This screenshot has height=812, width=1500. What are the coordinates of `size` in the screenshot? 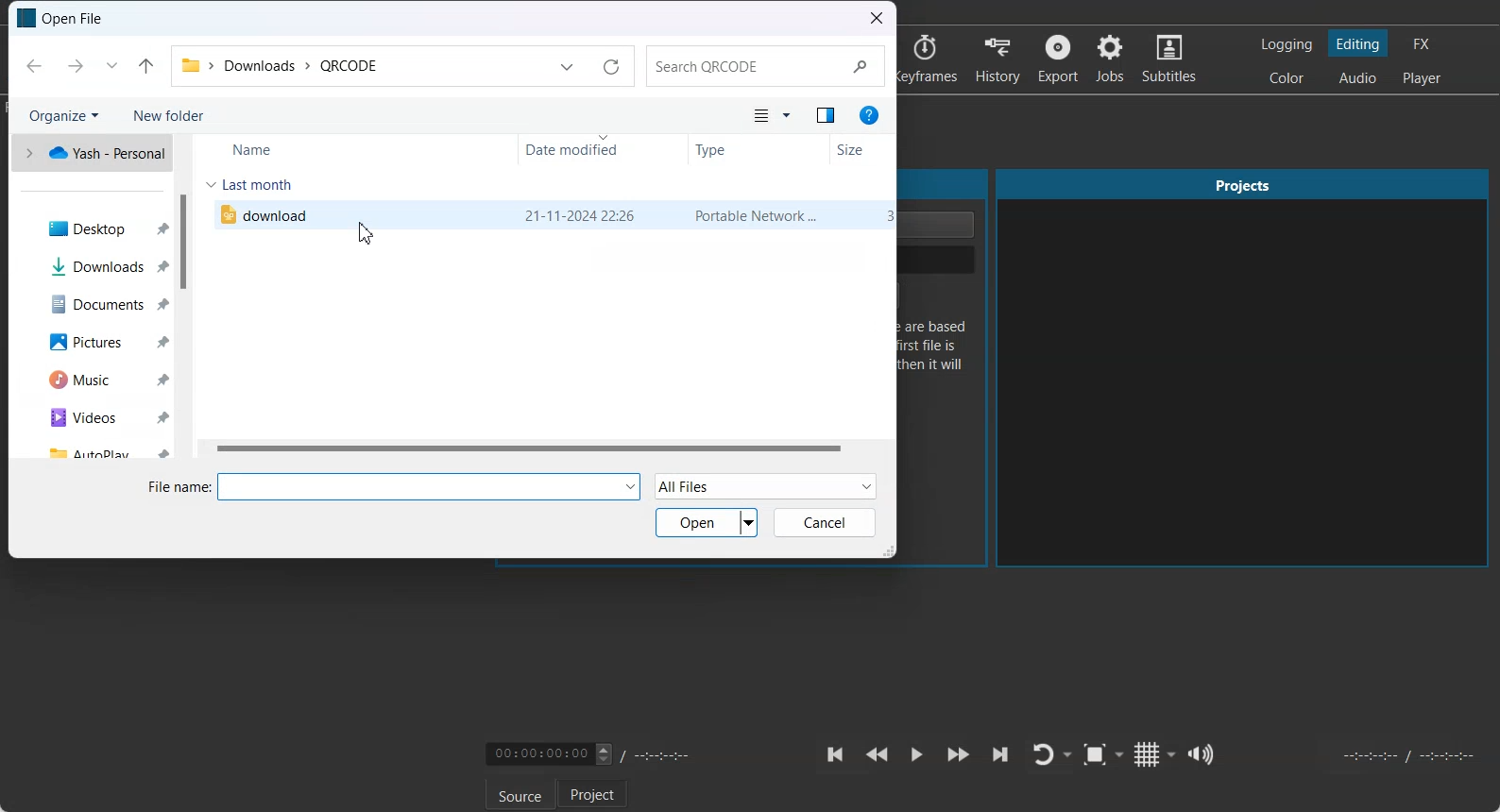 It's located at (883, 216).